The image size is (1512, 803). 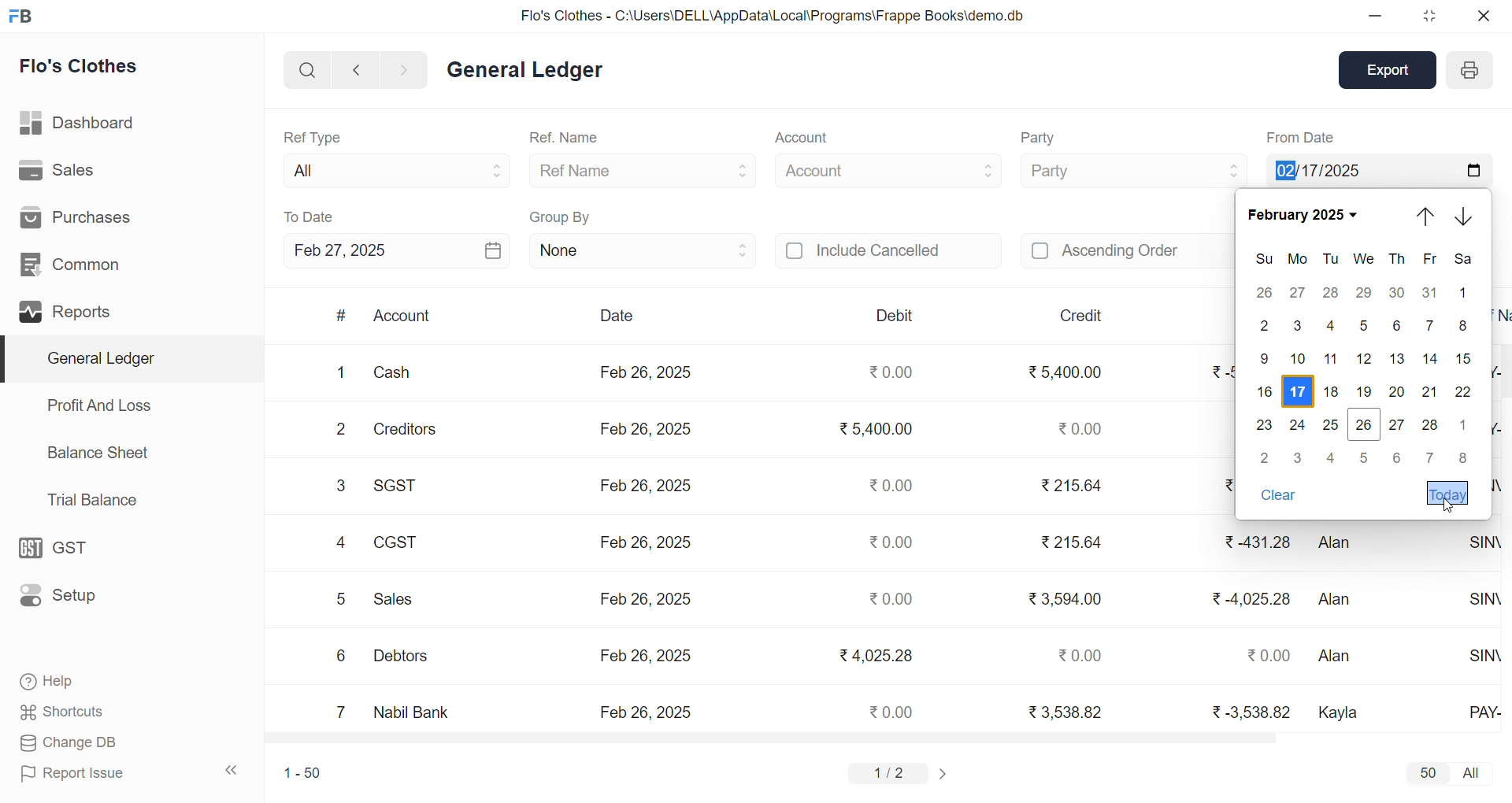 I want to click on ₹ 431.28, so click(x=1256, y=542).